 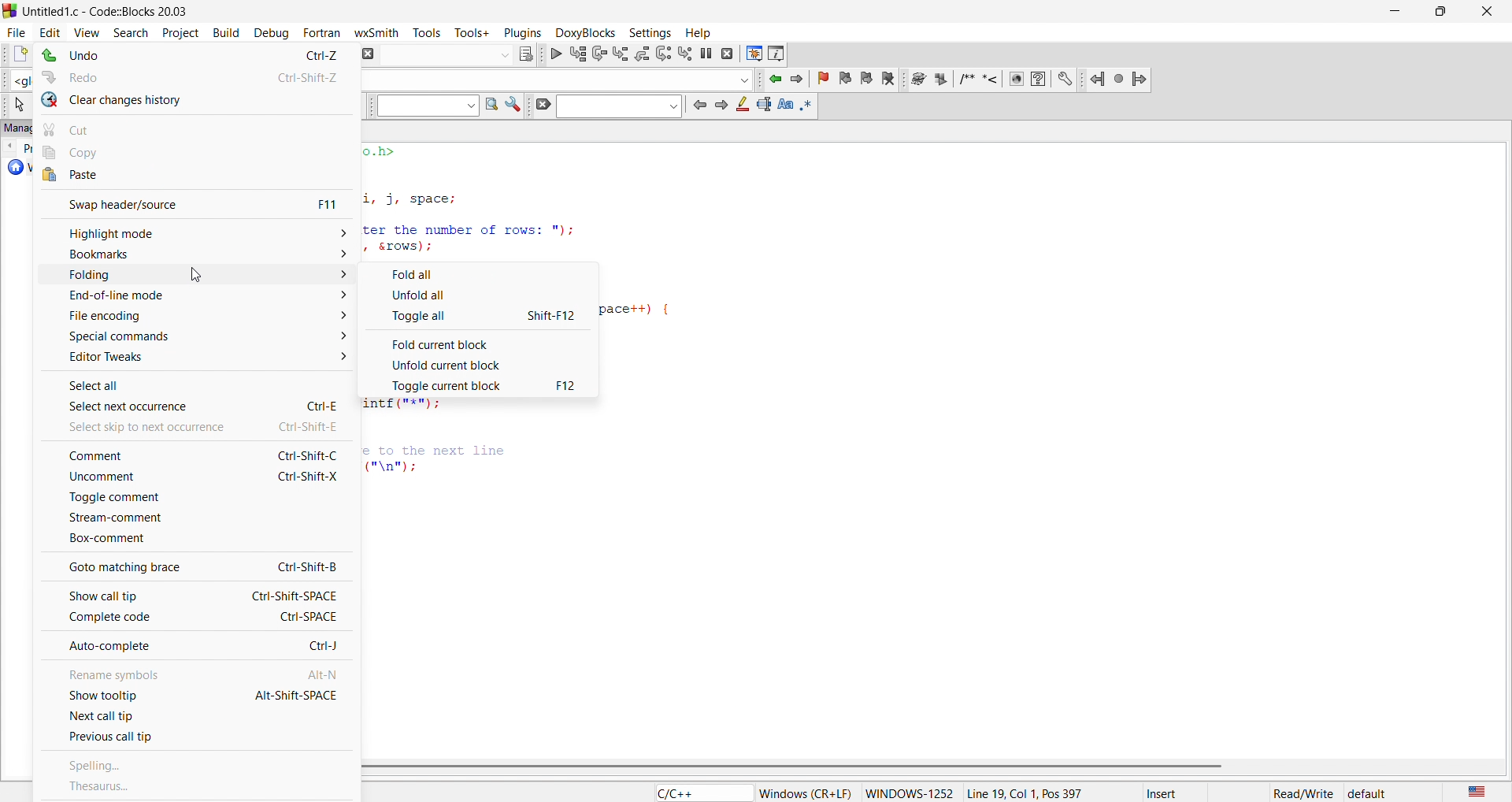 What do you see at coordinates (728, 54) in the screenshot?
I see `stop debugging` at bounding box center [728, 54].